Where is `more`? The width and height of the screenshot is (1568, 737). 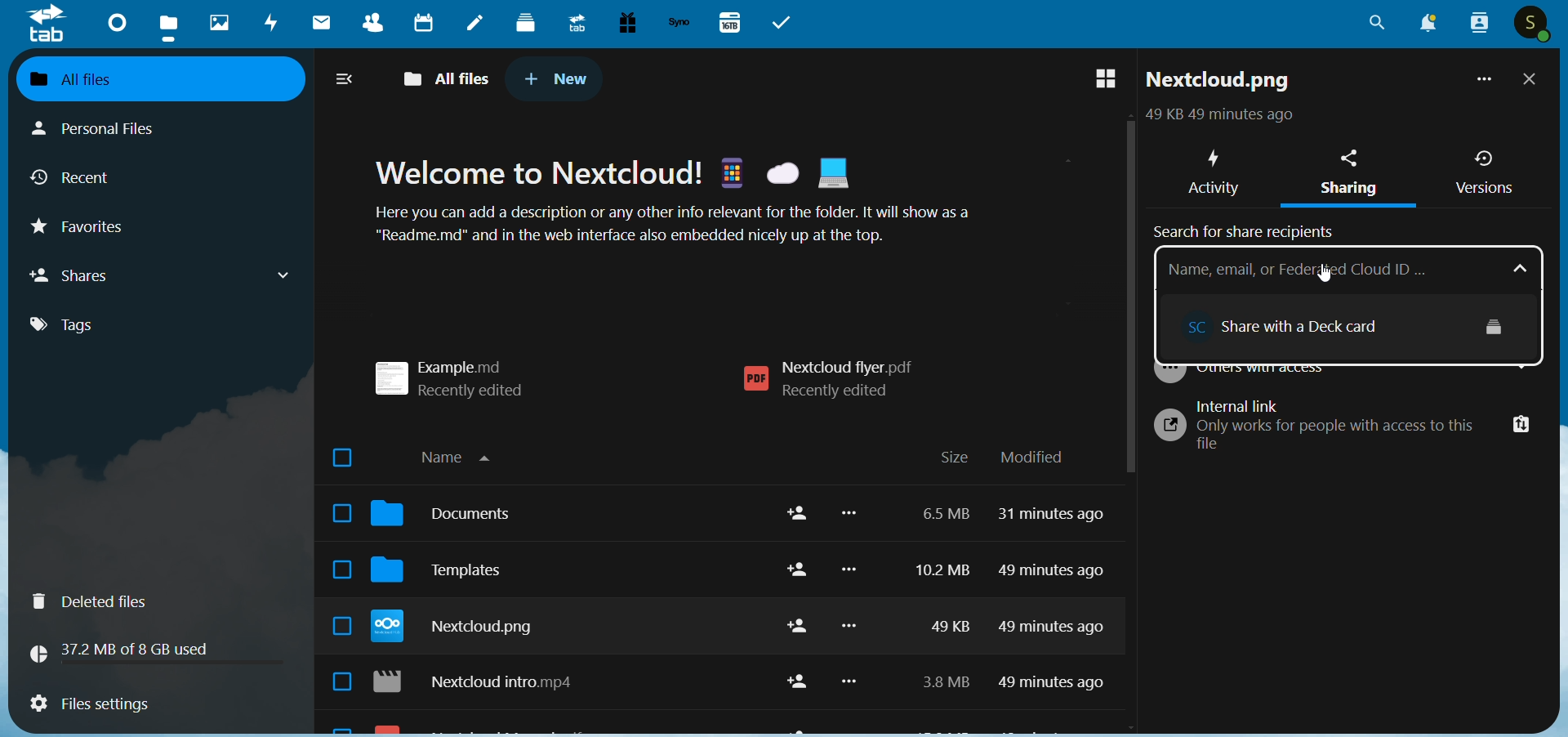 more is located at coordinates (853, 607).